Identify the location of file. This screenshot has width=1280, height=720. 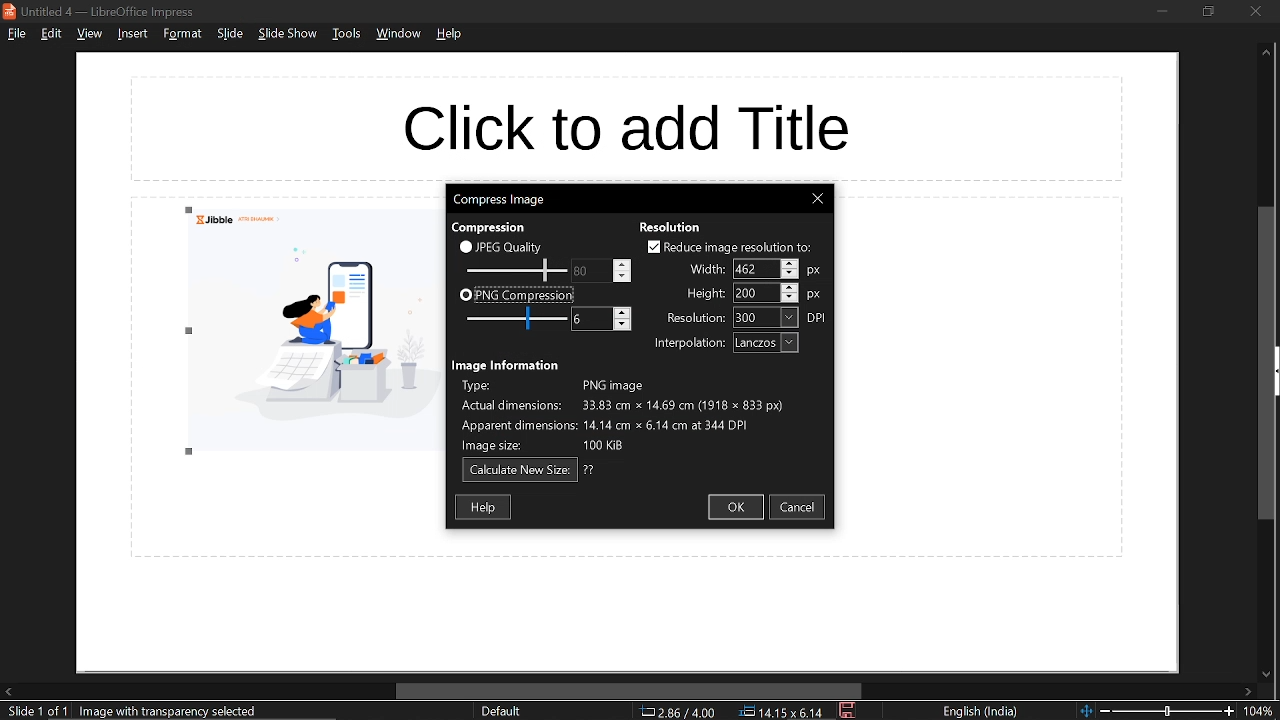
(16, 33).